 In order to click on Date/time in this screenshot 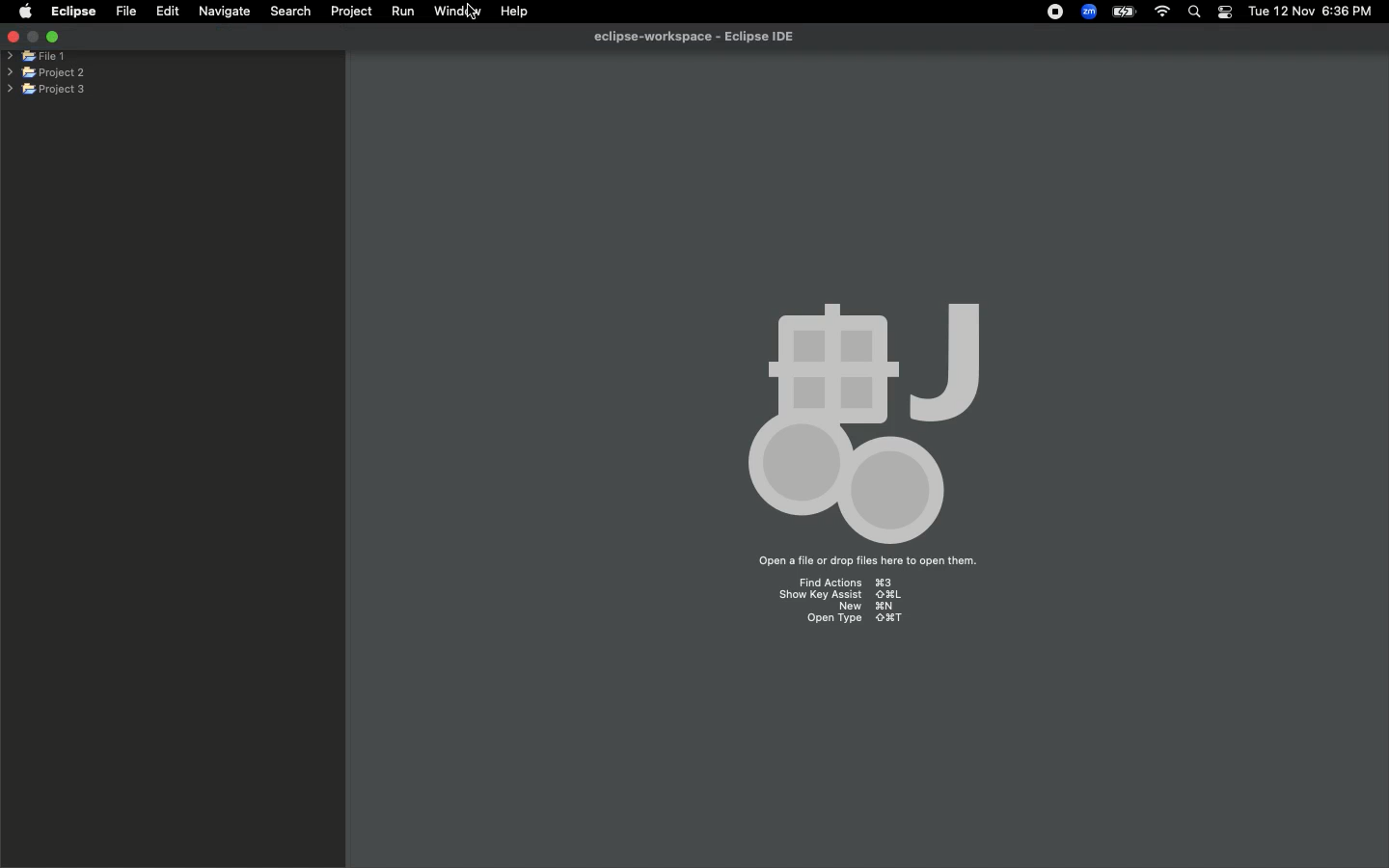, I will do `click(1312, 11)`.